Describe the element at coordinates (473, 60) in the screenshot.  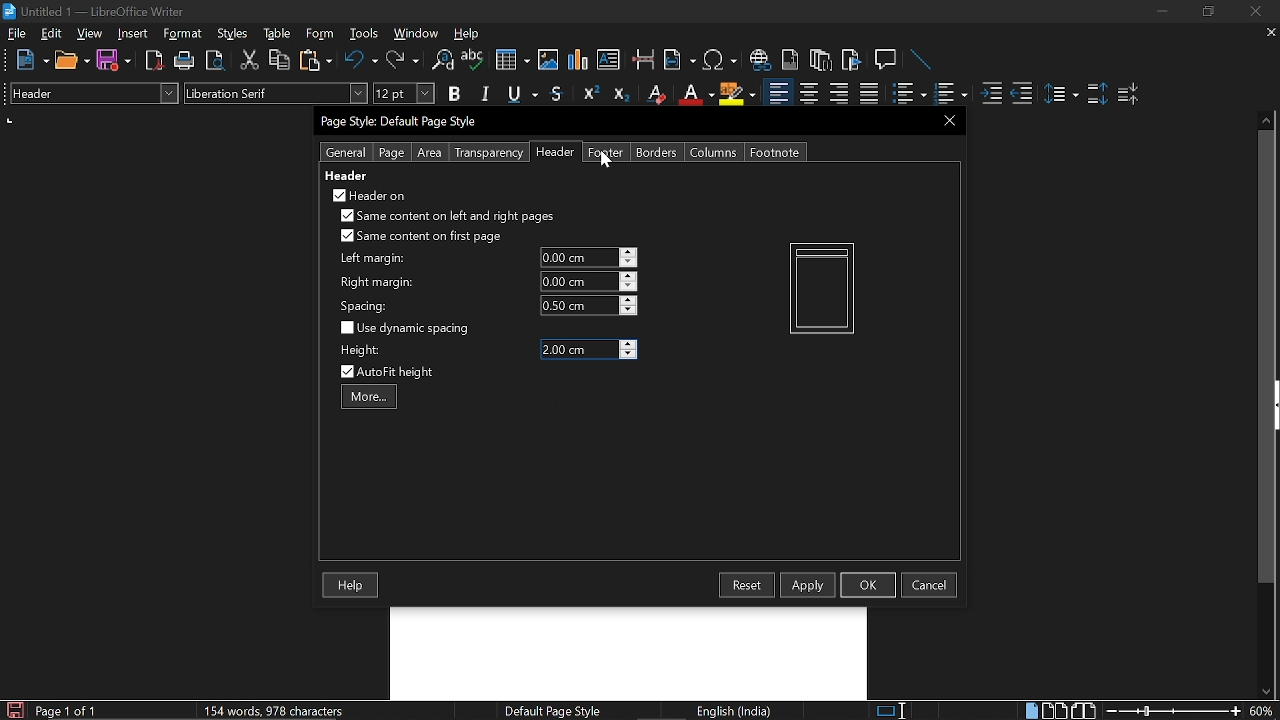
I see `Spell check` at that location.